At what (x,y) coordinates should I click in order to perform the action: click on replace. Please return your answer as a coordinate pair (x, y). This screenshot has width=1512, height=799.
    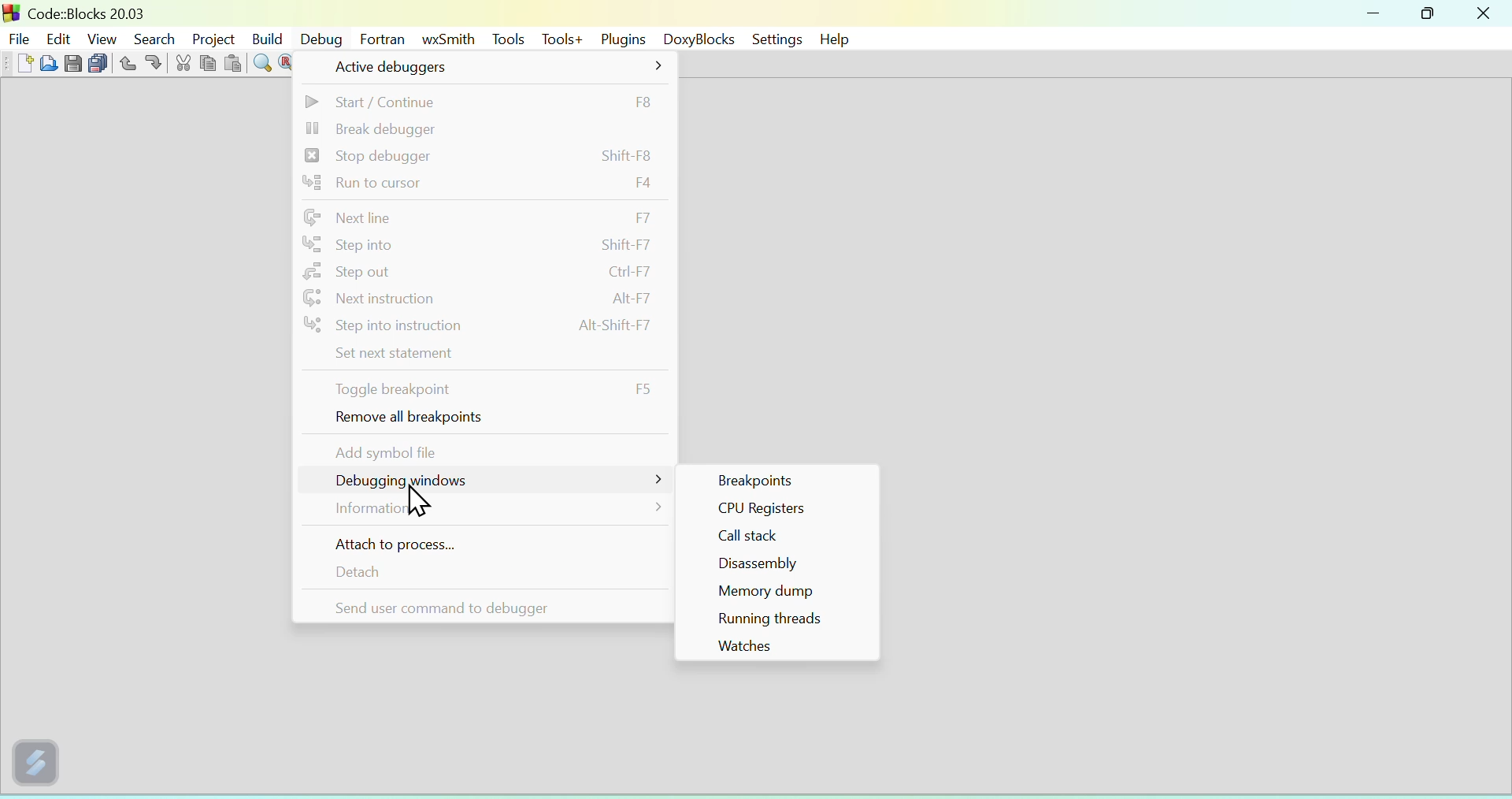
    Looking at the image, I should click on (287, 64).